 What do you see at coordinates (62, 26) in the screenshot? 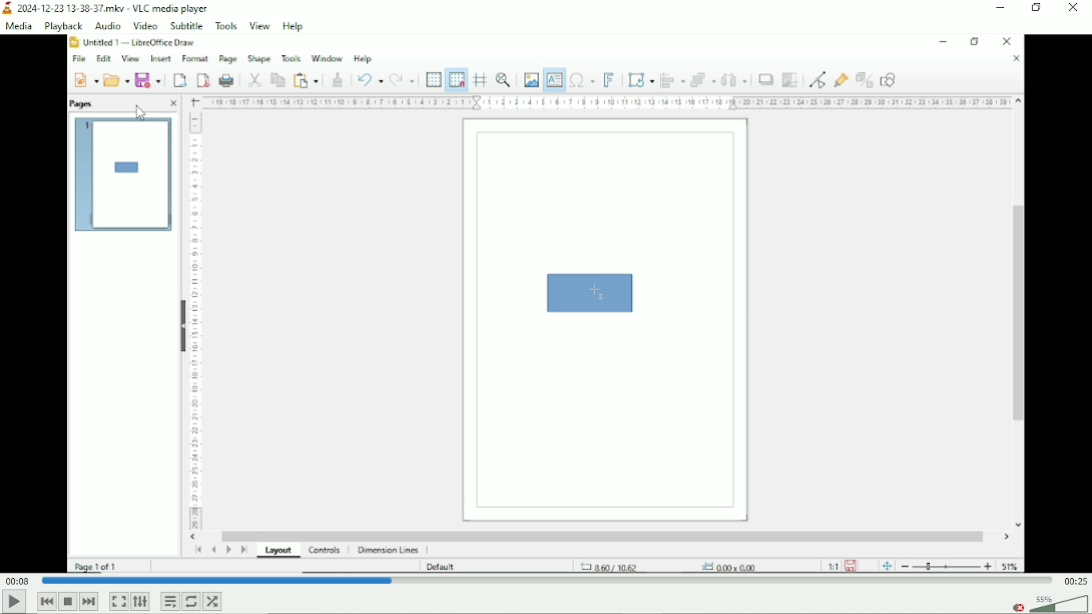
I see `Playback` at bounding box center [62, 26].